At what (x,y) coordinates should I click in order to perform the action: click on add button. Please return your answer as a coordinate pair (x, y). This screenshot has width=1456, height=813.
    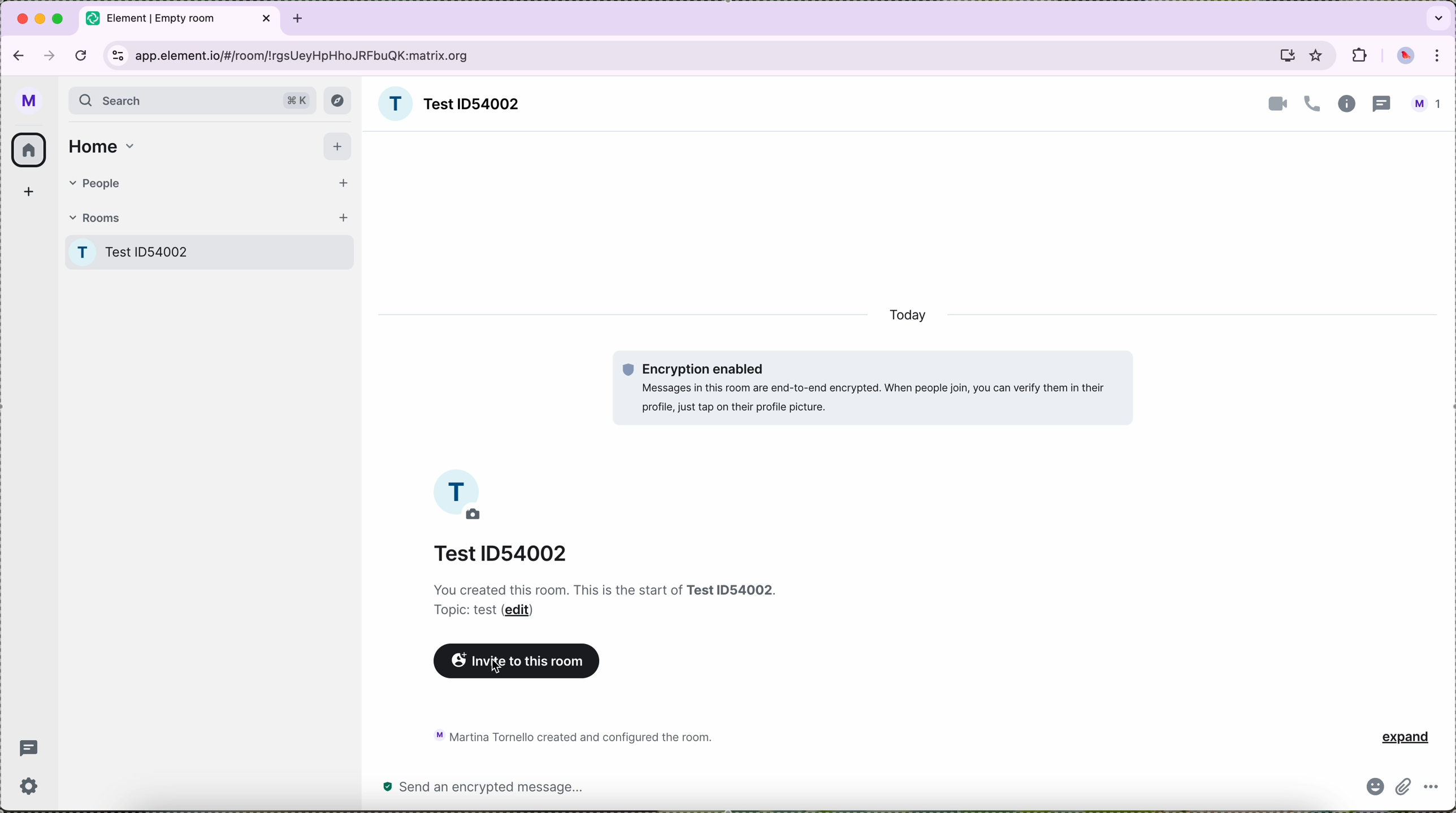
    Looking at the image, I should click on (340, 147).